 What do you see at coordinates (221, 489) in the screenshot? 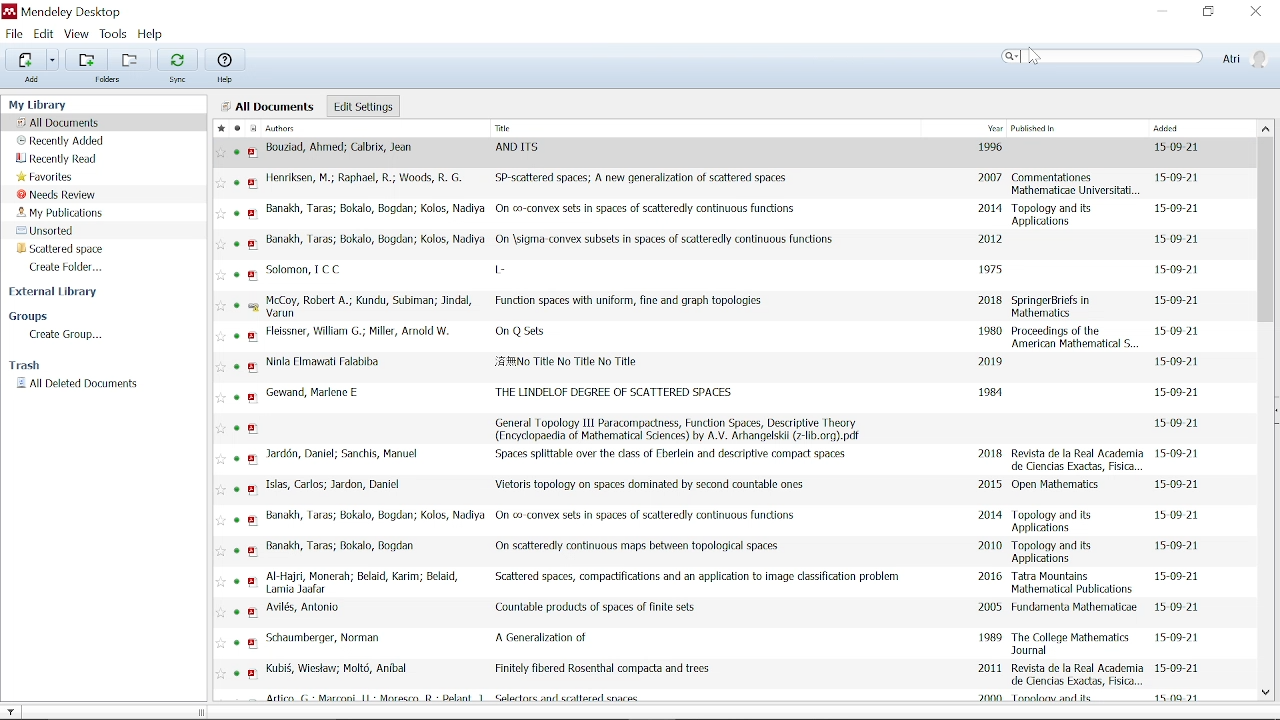
I see `Add to favorite` at bounding box center [221, 489].